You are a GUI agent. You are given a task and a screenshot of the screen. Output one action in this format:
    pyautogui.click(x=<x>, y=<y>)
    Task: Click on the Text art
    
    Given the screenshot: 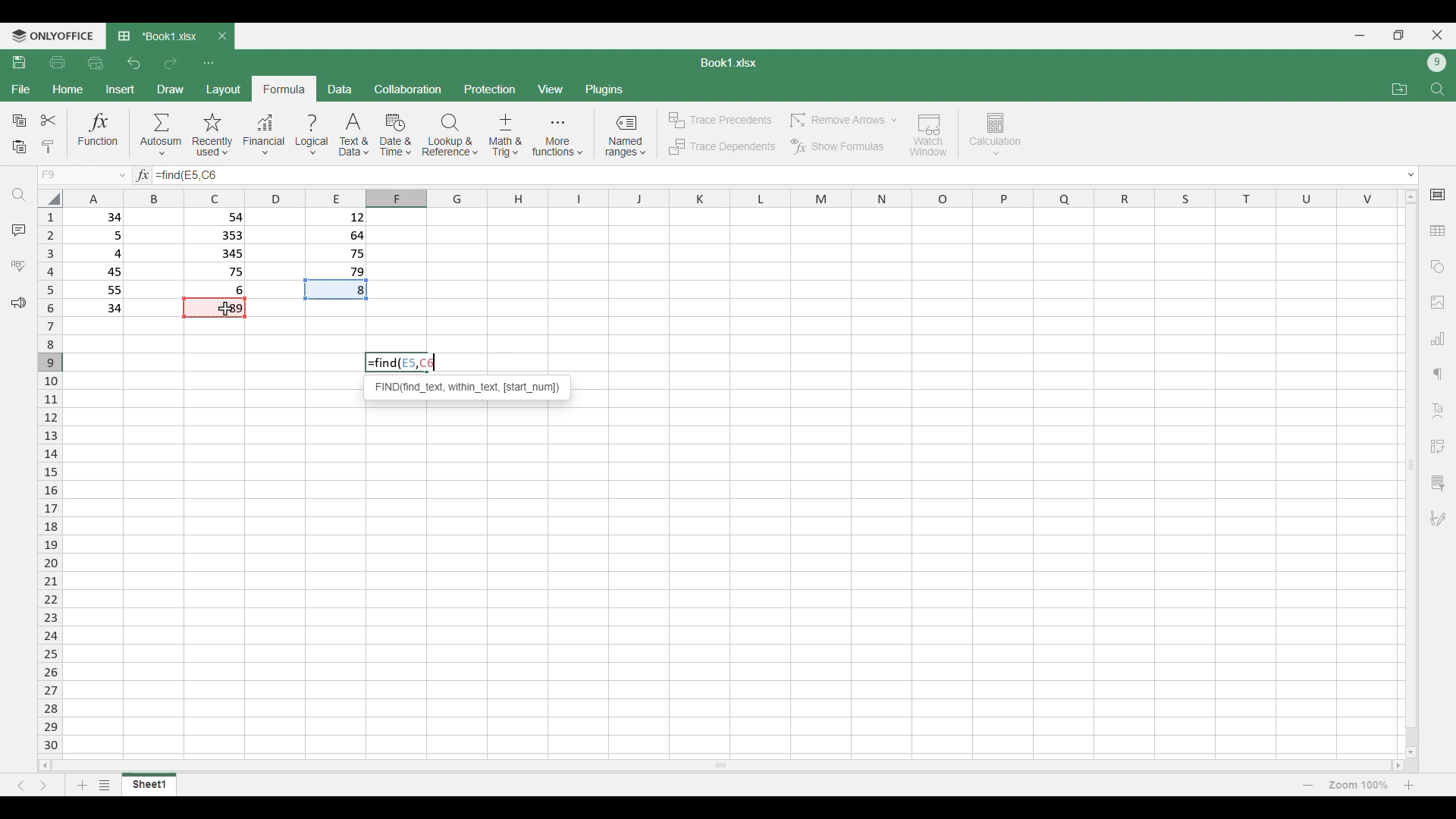 What is the action you would take?
    pyautogui.click(x=1437, y=411)
    